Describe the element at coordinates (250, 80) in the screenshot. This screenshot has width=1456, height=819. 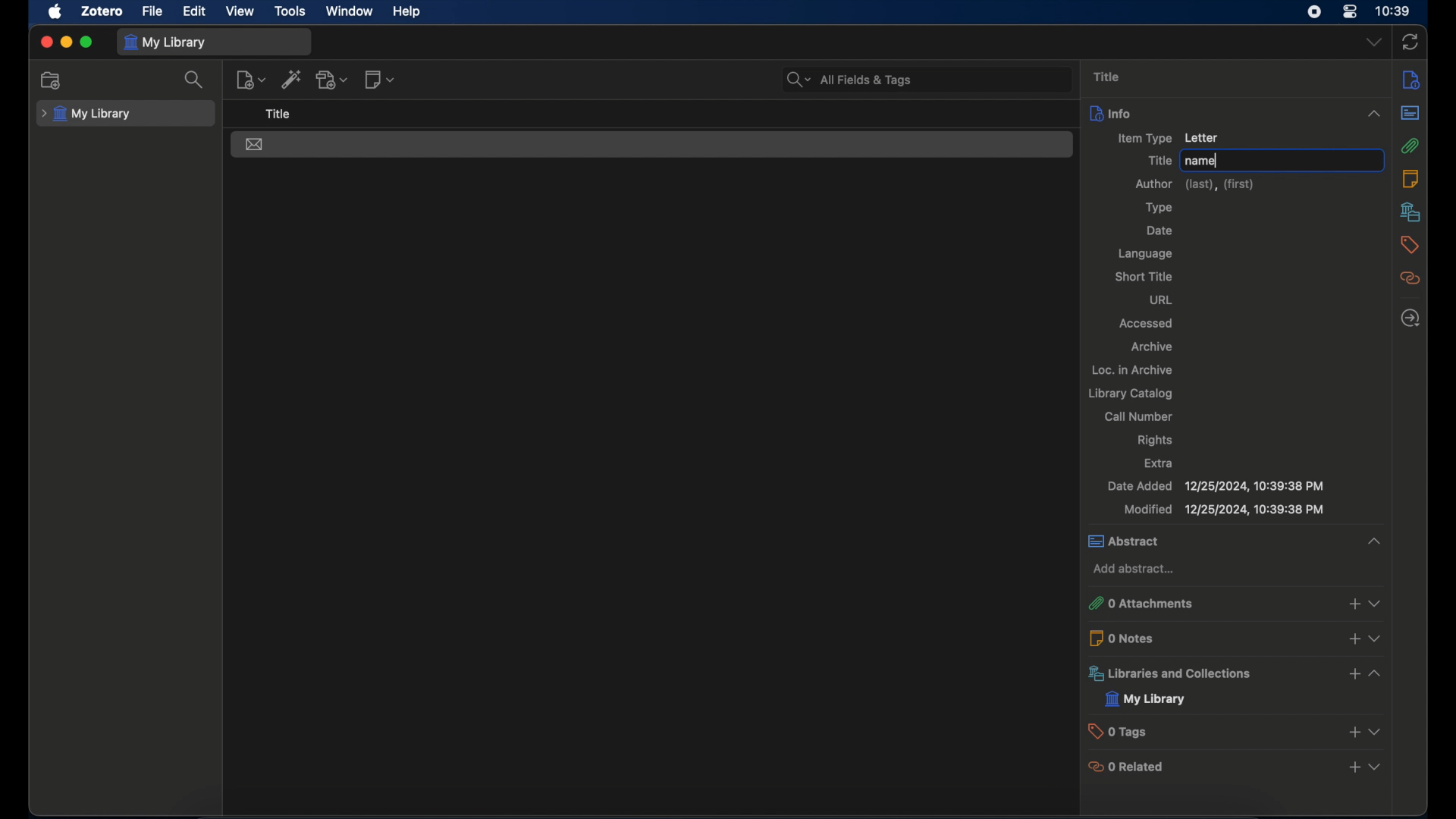
I see `new item` at that location.